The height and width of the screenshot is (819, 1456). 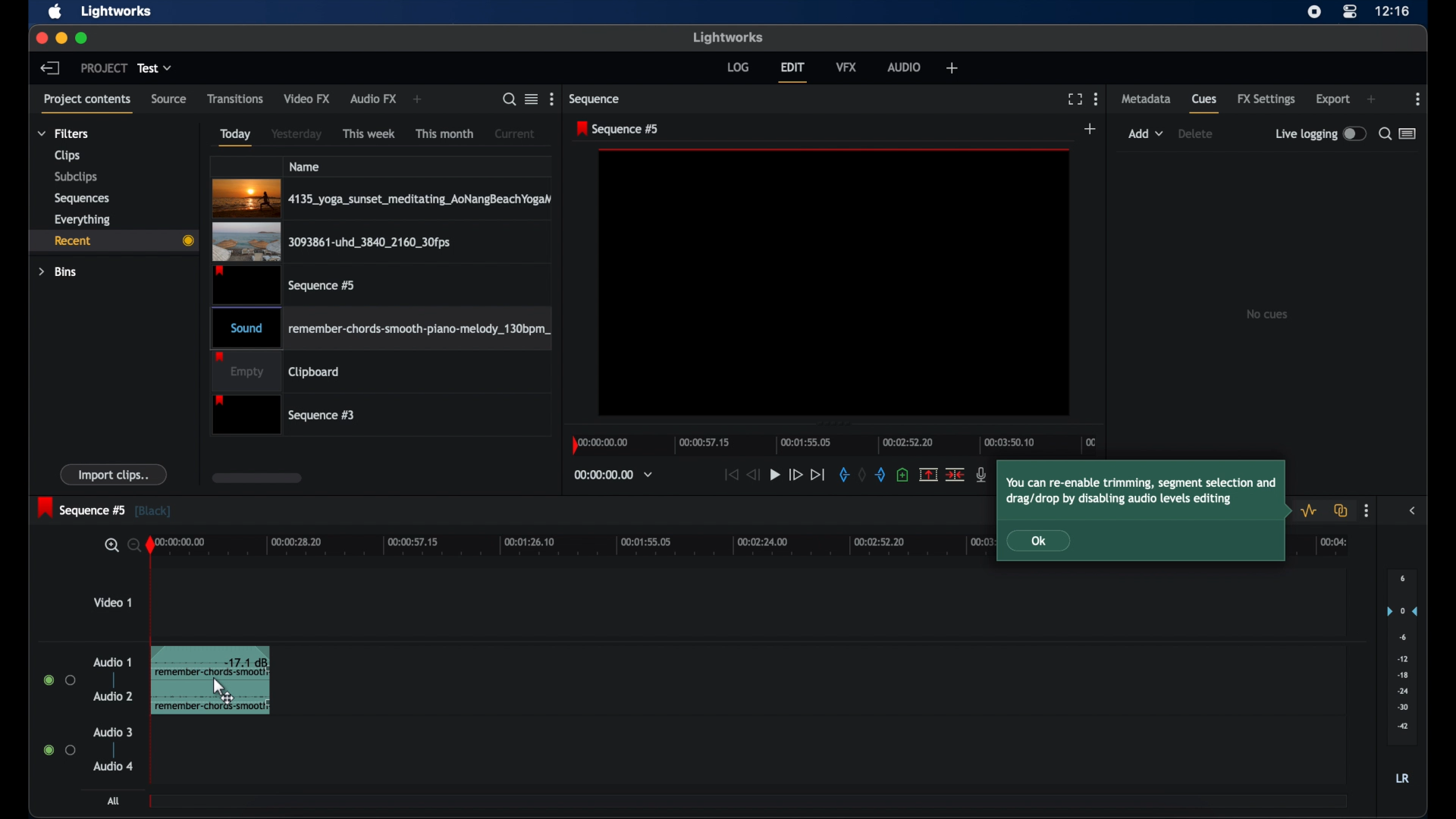 What do you see at coordinates (55, 12) in the screenshot?
I see `apple icon` at bounding box center [55, 12].